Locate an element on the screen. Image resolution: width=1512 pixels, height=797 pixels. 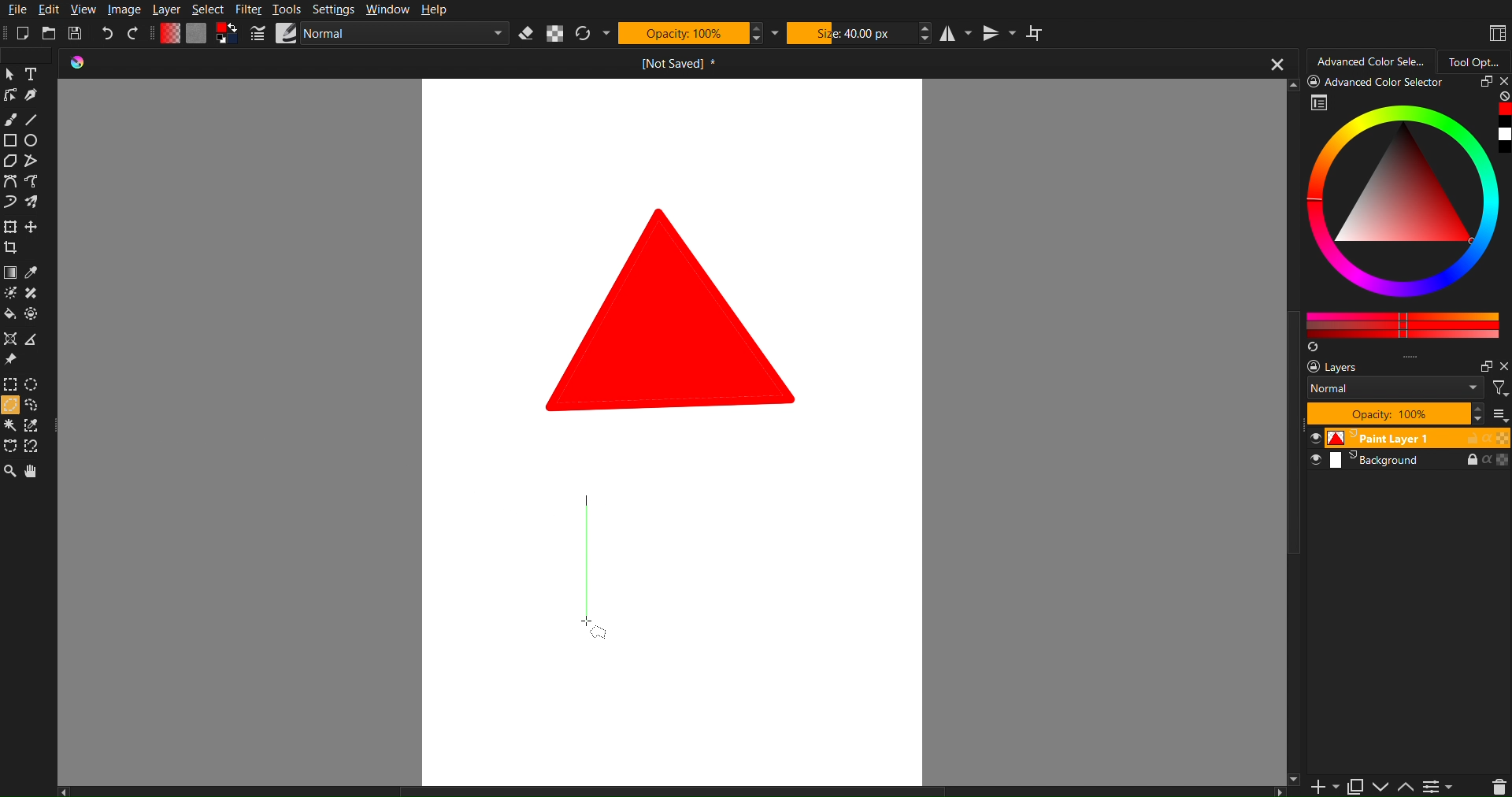
Pan is located at coordinates (36, 472).